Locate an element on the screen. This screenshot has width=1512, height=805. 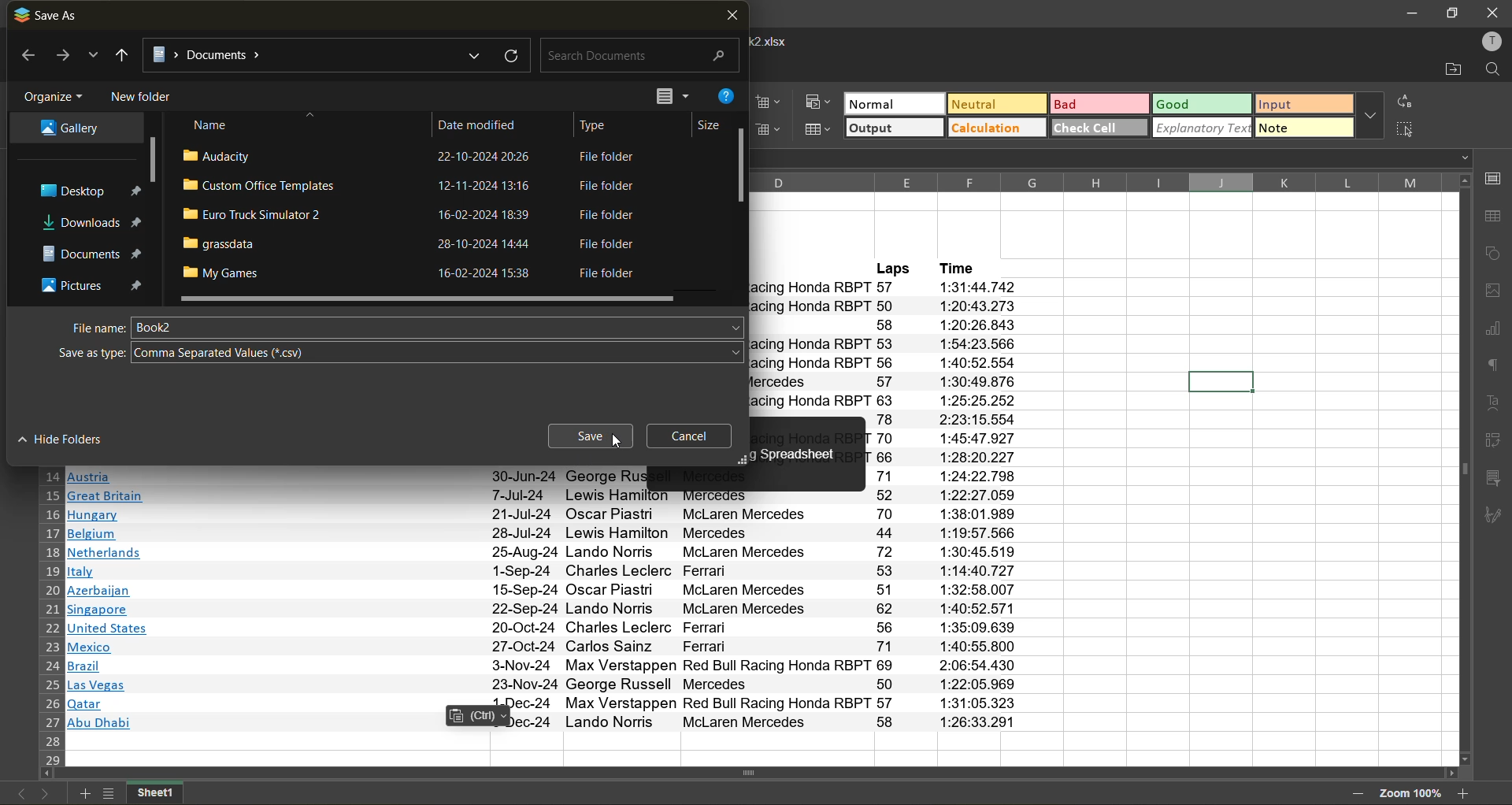
save is located at coordinates (591, 438).